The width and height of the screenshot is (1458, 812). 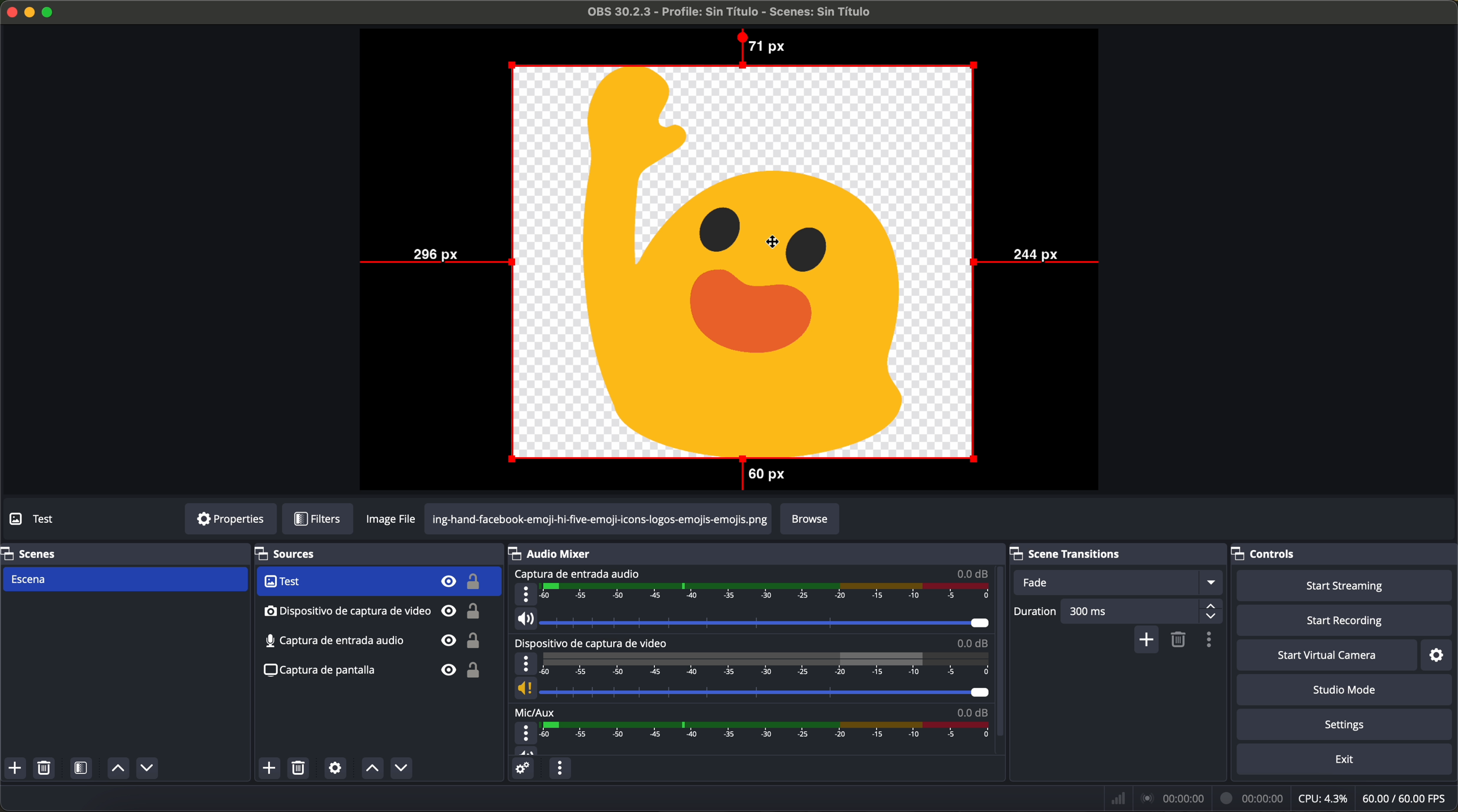 What do you see at coordinates (1143, 611) in the screenshot?
I see `300 ms` at bounding box center [1143, 611].